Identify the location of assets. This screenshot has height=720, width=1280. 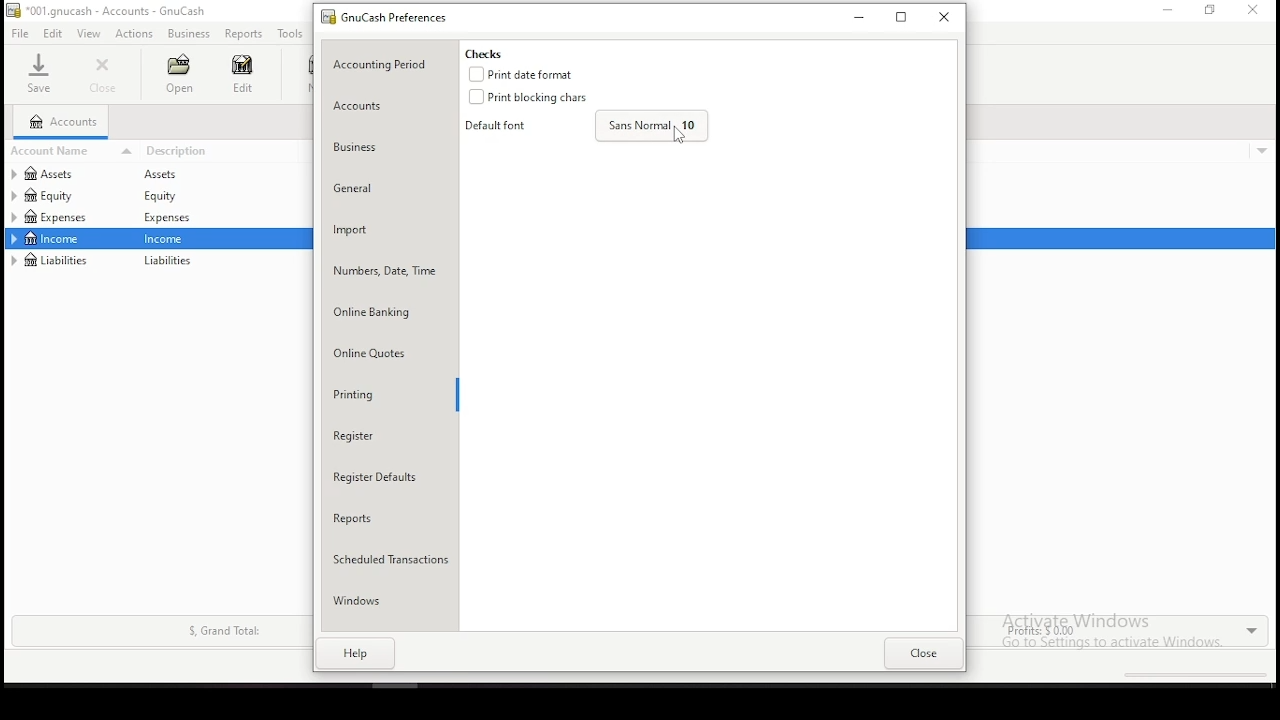
(170, 175).